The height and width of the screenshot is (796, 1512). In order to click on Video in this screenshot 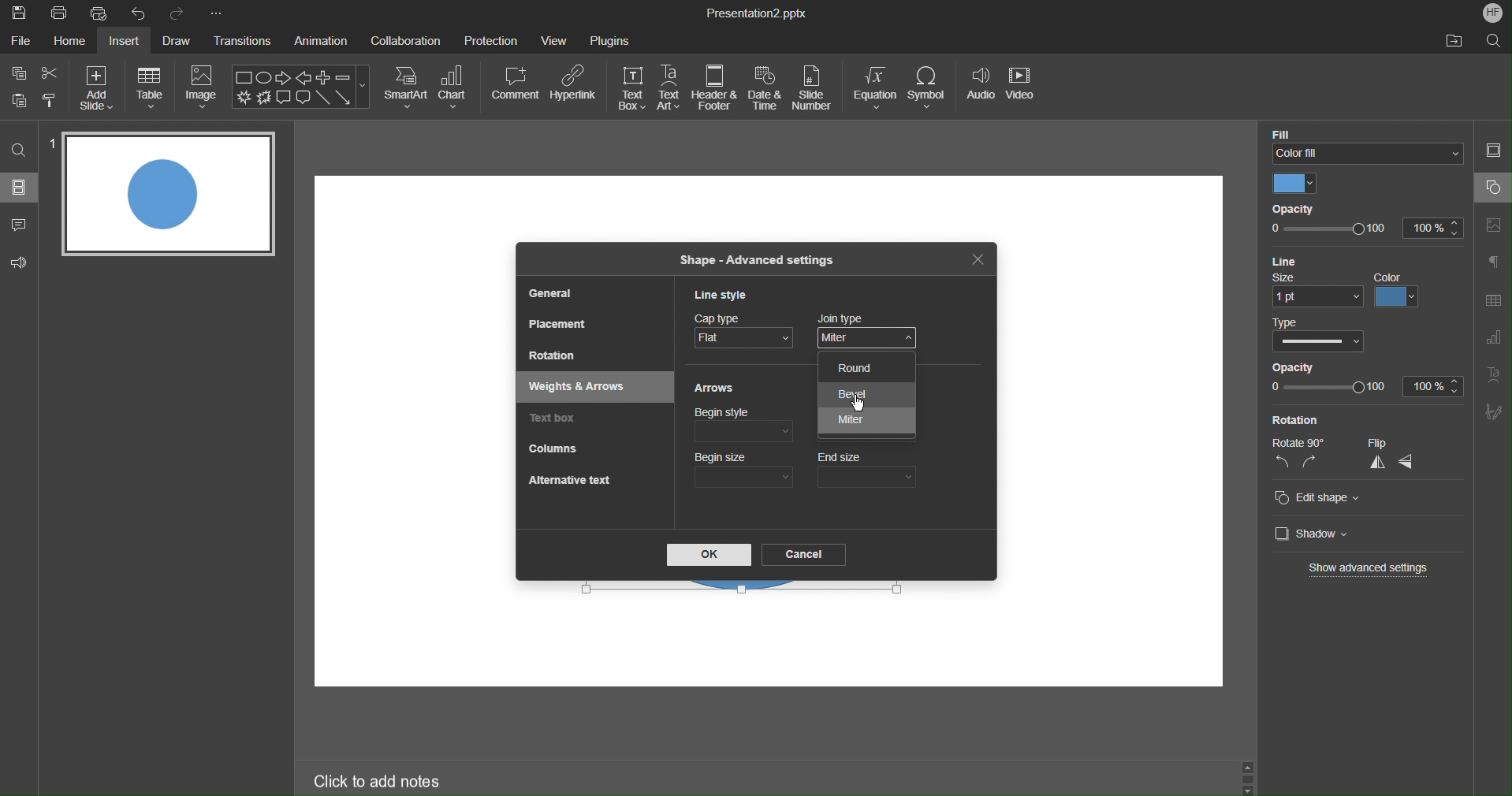, I will do `click(1023, 90)`.